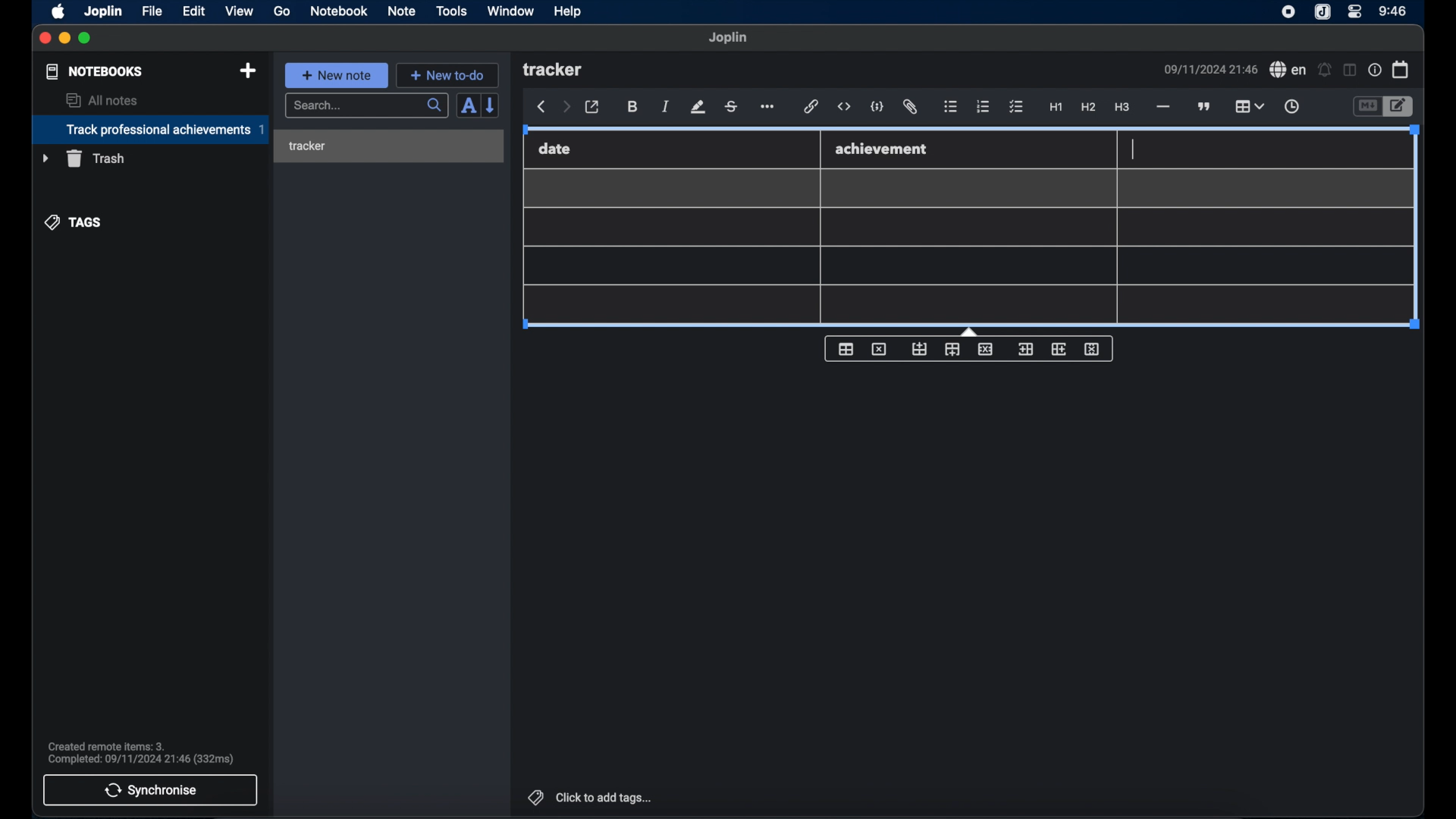 This screenshot has height=819, width=1456. What do you see at coordinates (554, 71) in the screenshot?
I see `tracker` at bounding box center [554, 71].